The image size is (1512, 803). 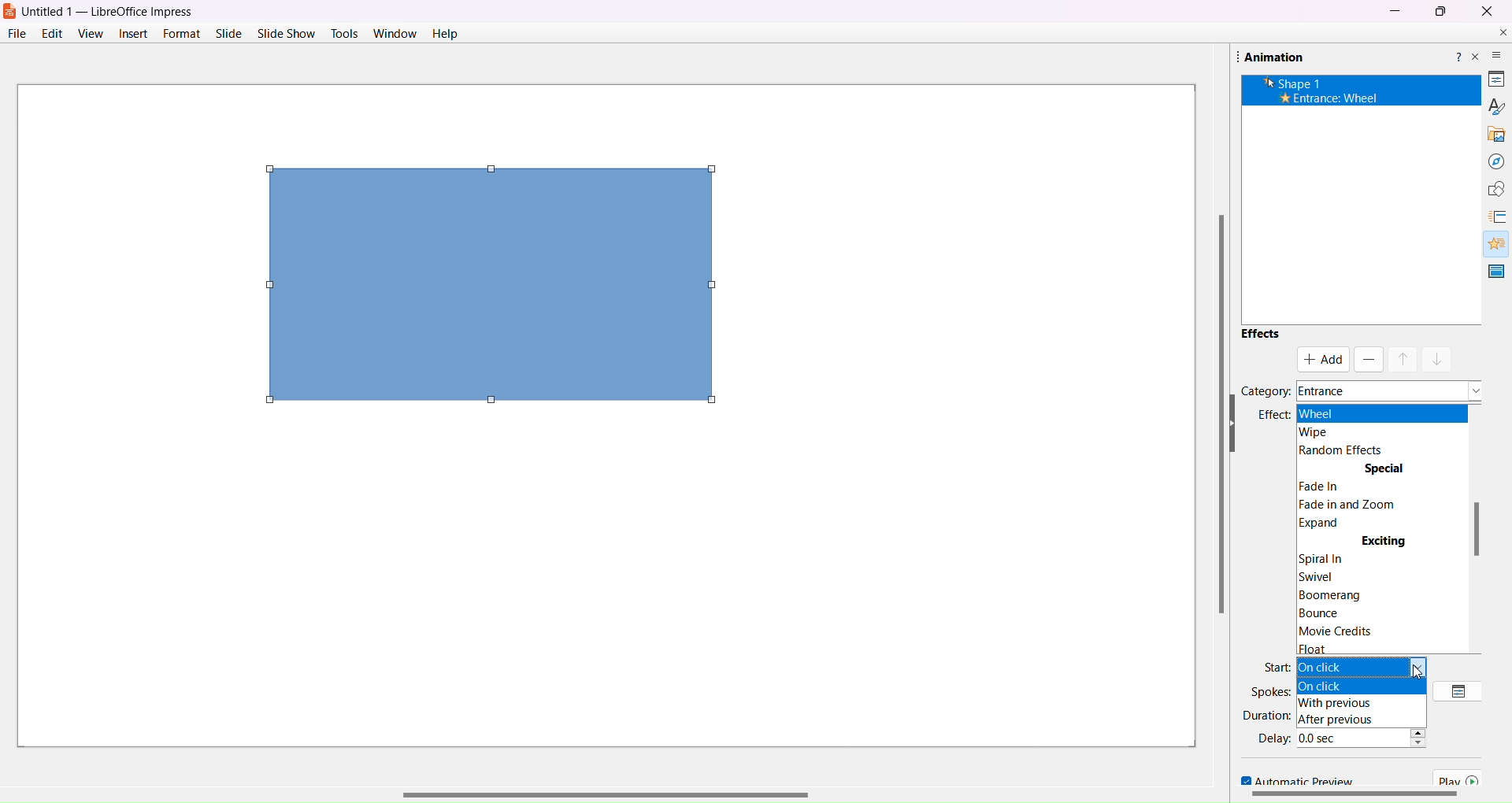 What do you see at coordinates (1269, 56) in the screenshot?
I see `Animation` at bounding box center [1269, 56].